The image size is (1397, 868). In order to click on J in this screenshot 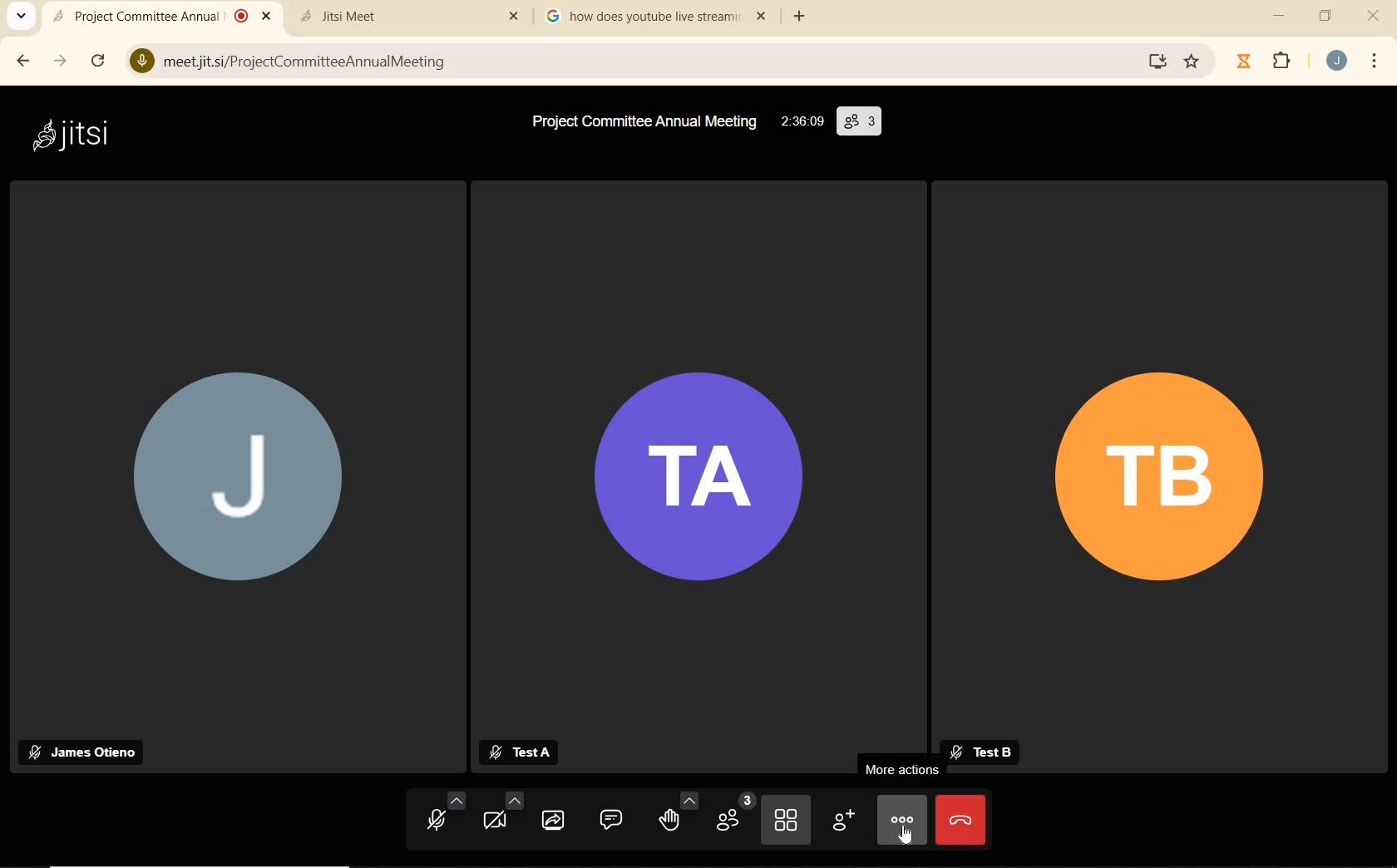, I will do `click(237, 481)`.